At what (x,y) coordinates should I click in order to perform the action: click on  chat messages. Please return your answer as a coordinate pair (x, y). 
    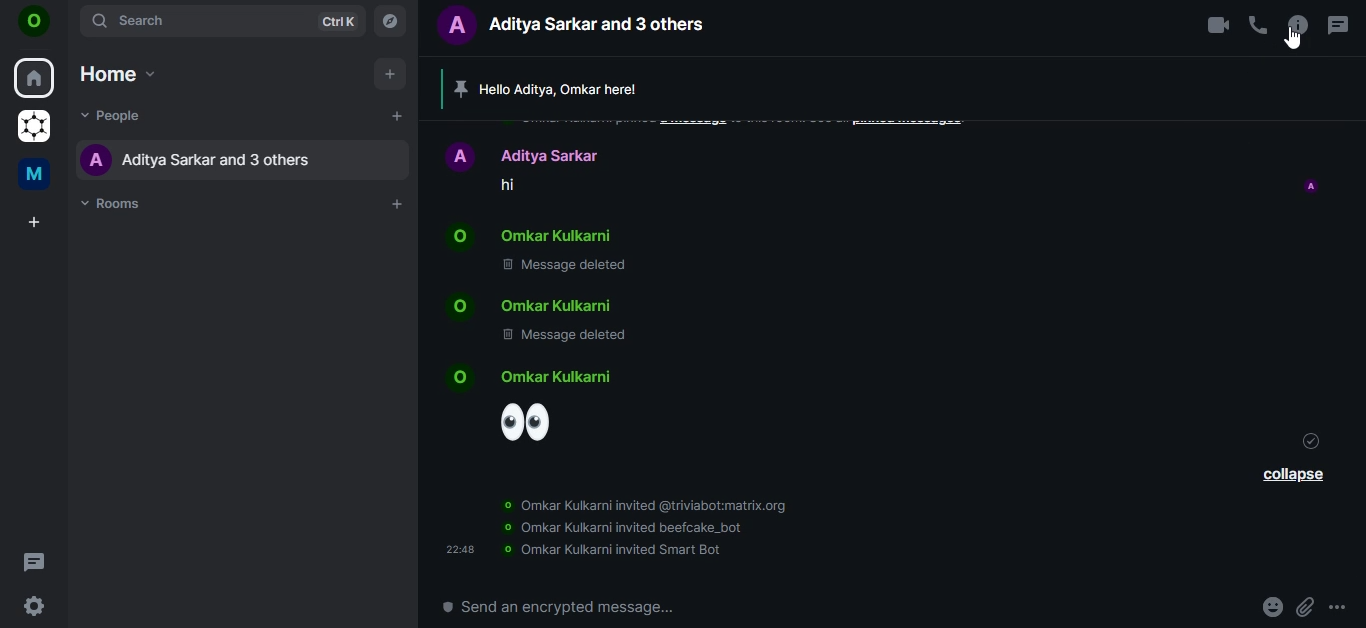
    Looking at the image, I should click on (662, 322).